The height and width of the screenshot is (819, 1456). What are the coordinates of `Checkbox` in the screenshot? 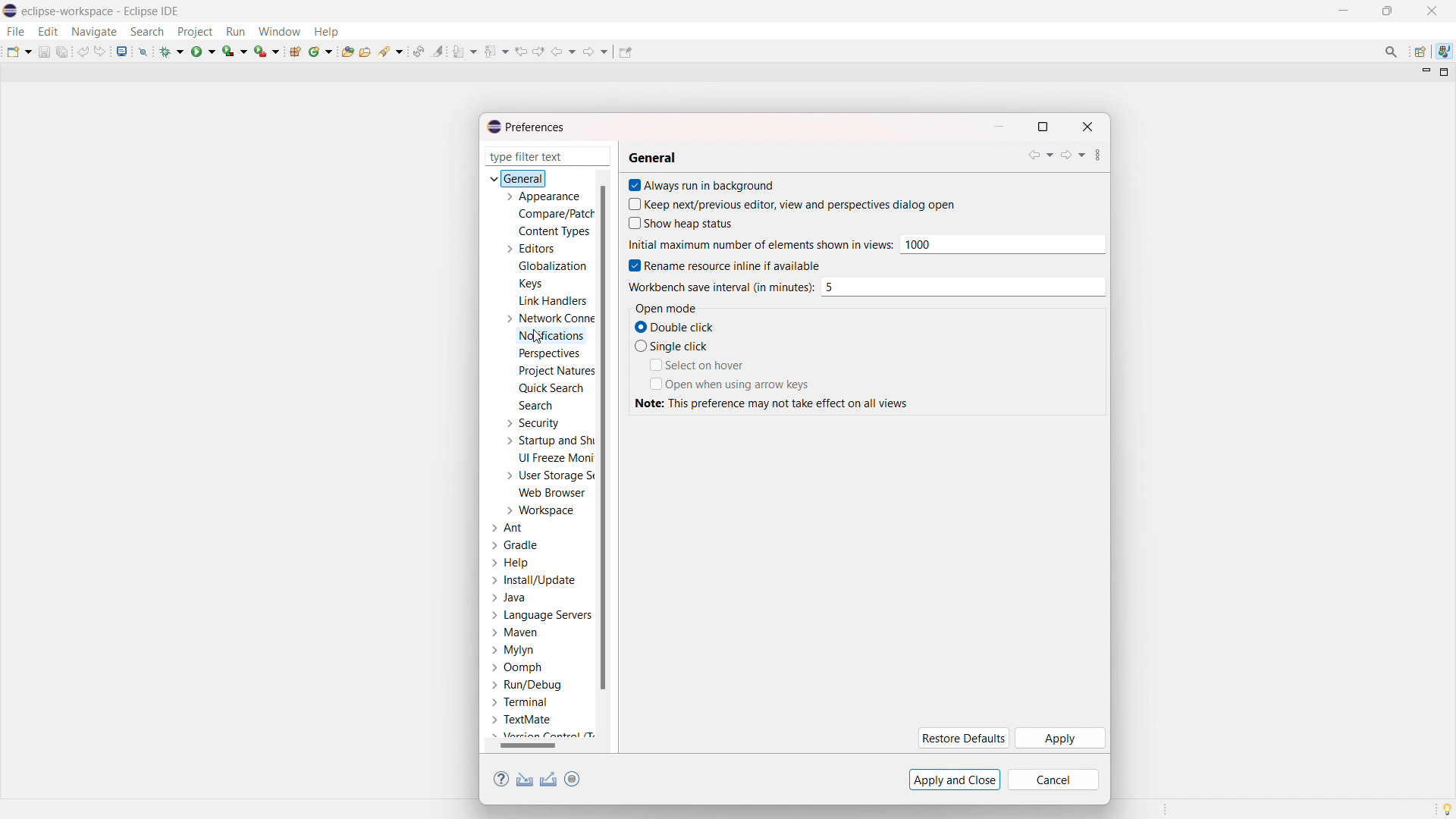 It's located at (639, 346).